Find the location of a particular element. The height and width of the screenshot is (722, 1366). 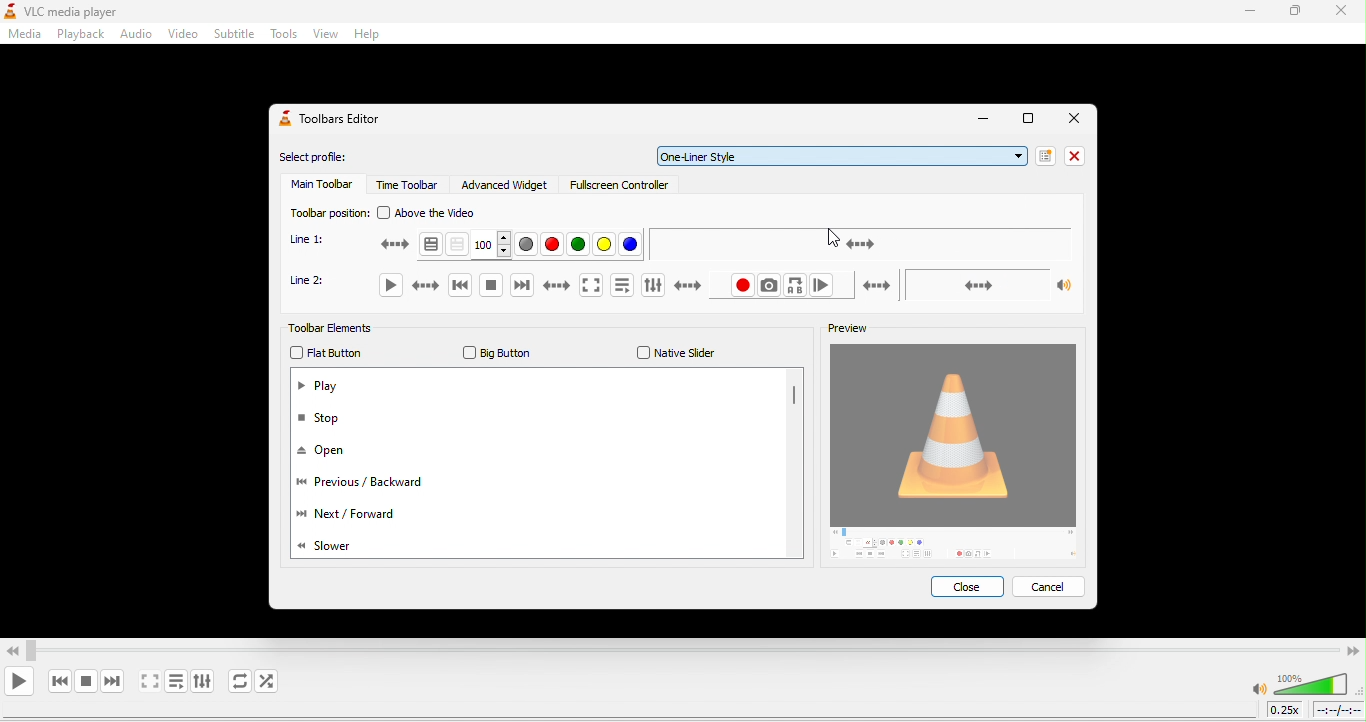

frame by frame is located at coordinates (823, 284).